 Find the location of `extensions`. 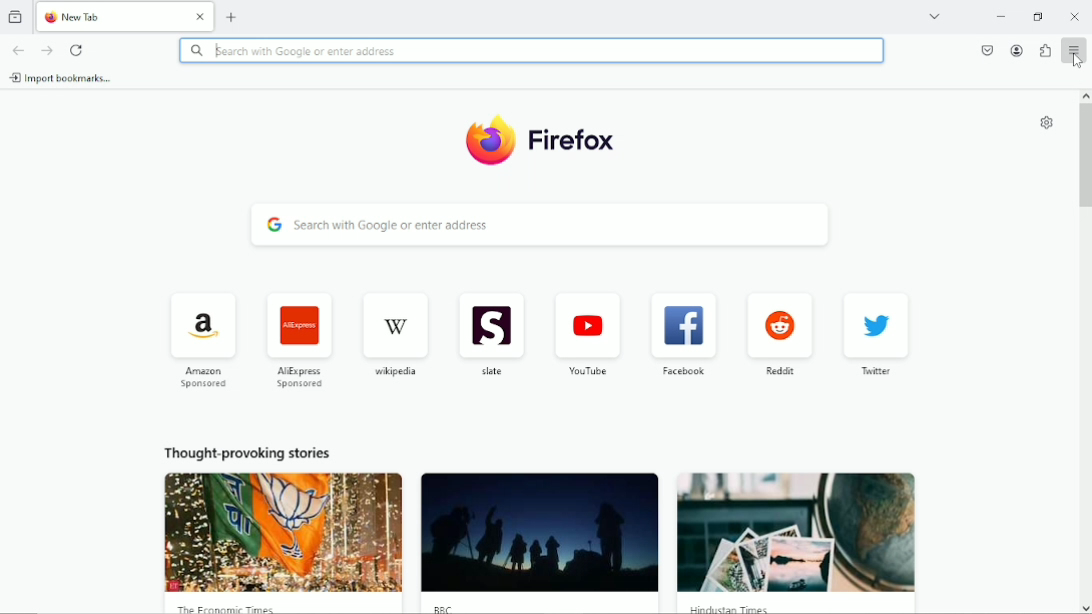

extensions is located at coordinates (1046, 50).